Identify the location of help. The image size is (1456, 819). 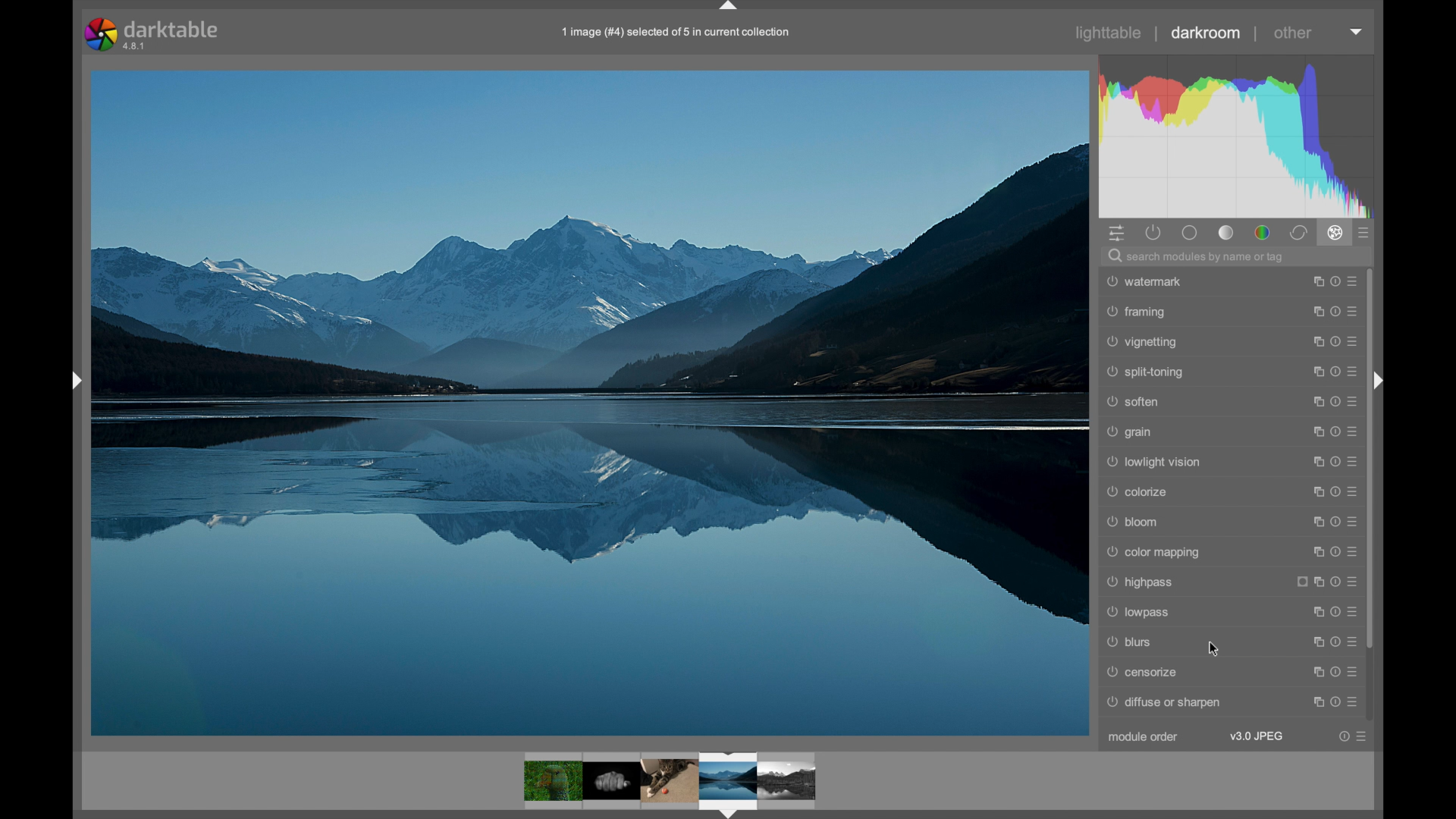
(1333, 553).